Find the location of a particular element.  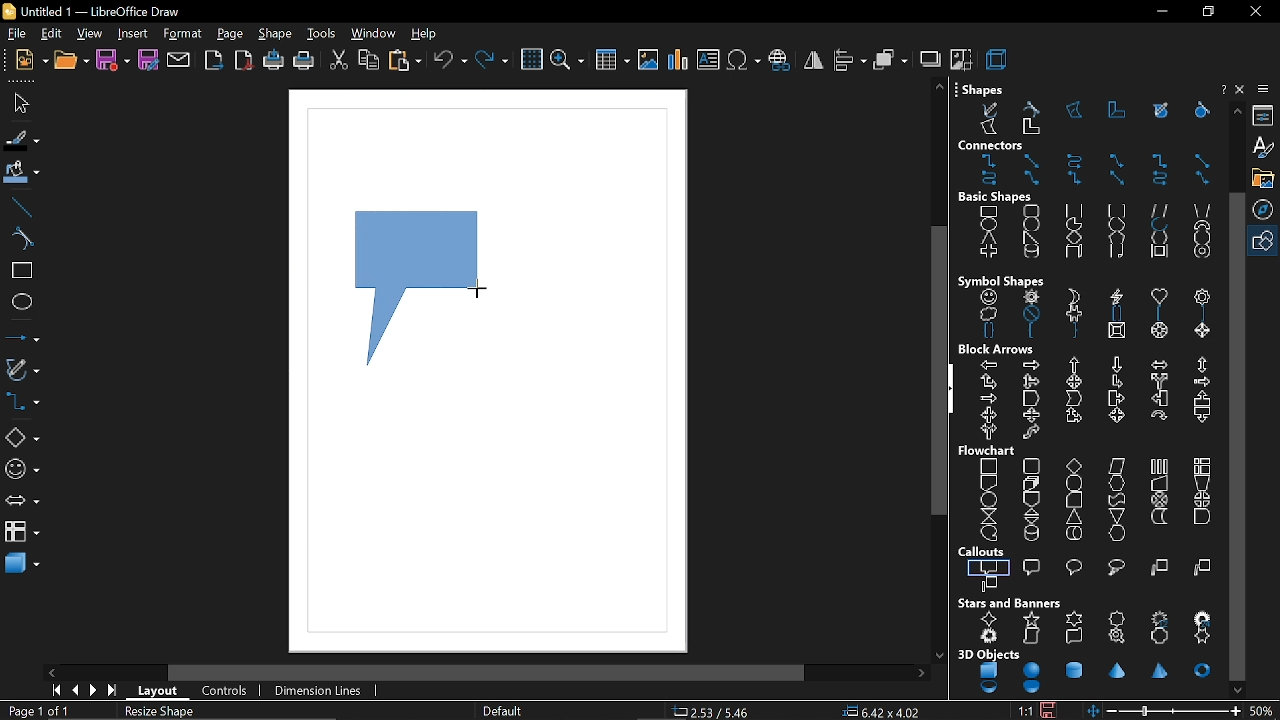

parallelogram is located at coordinates (1160, 210).